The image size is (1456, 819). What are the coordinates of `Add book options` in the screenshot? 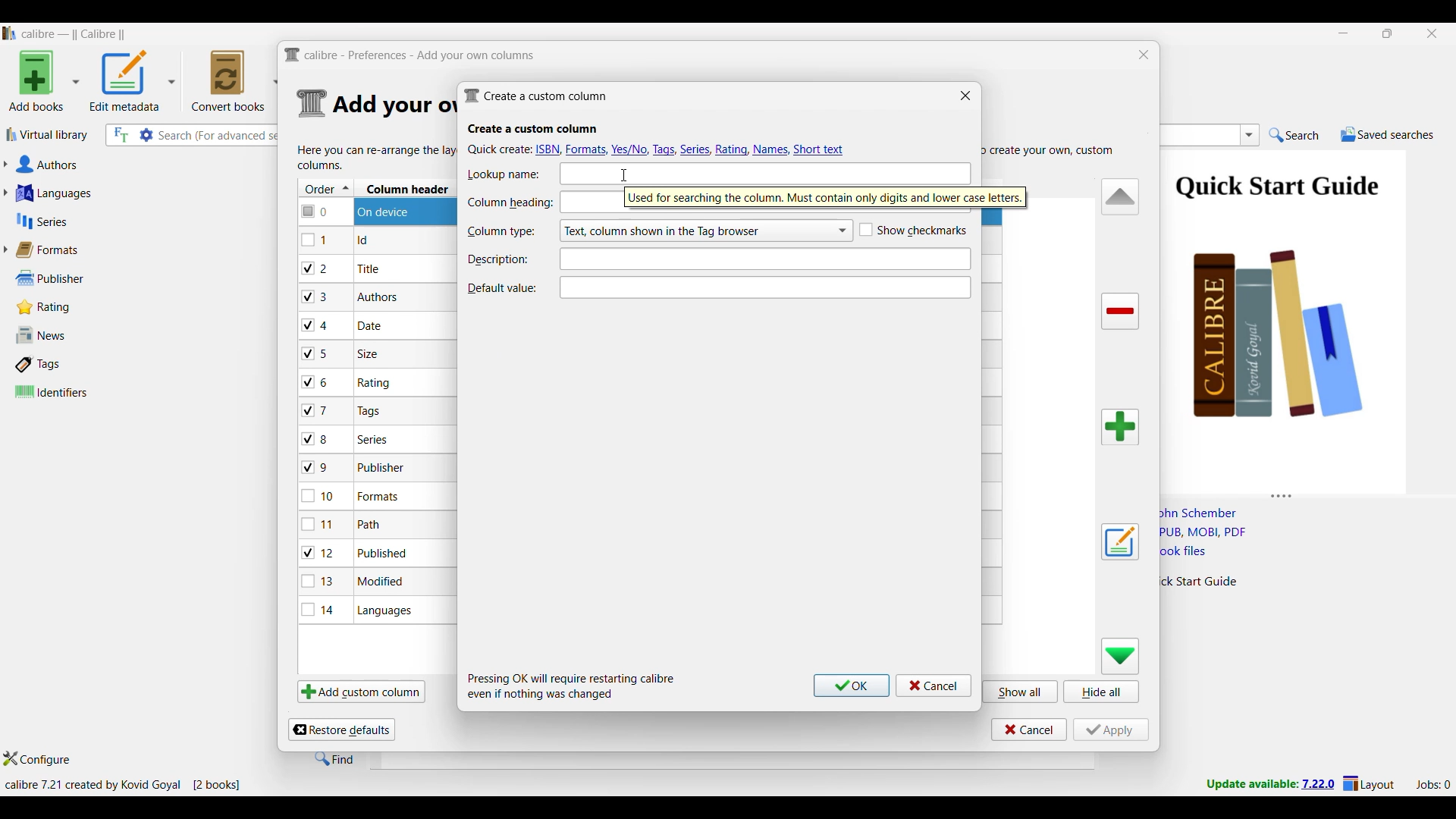 It's located at (45, 80).